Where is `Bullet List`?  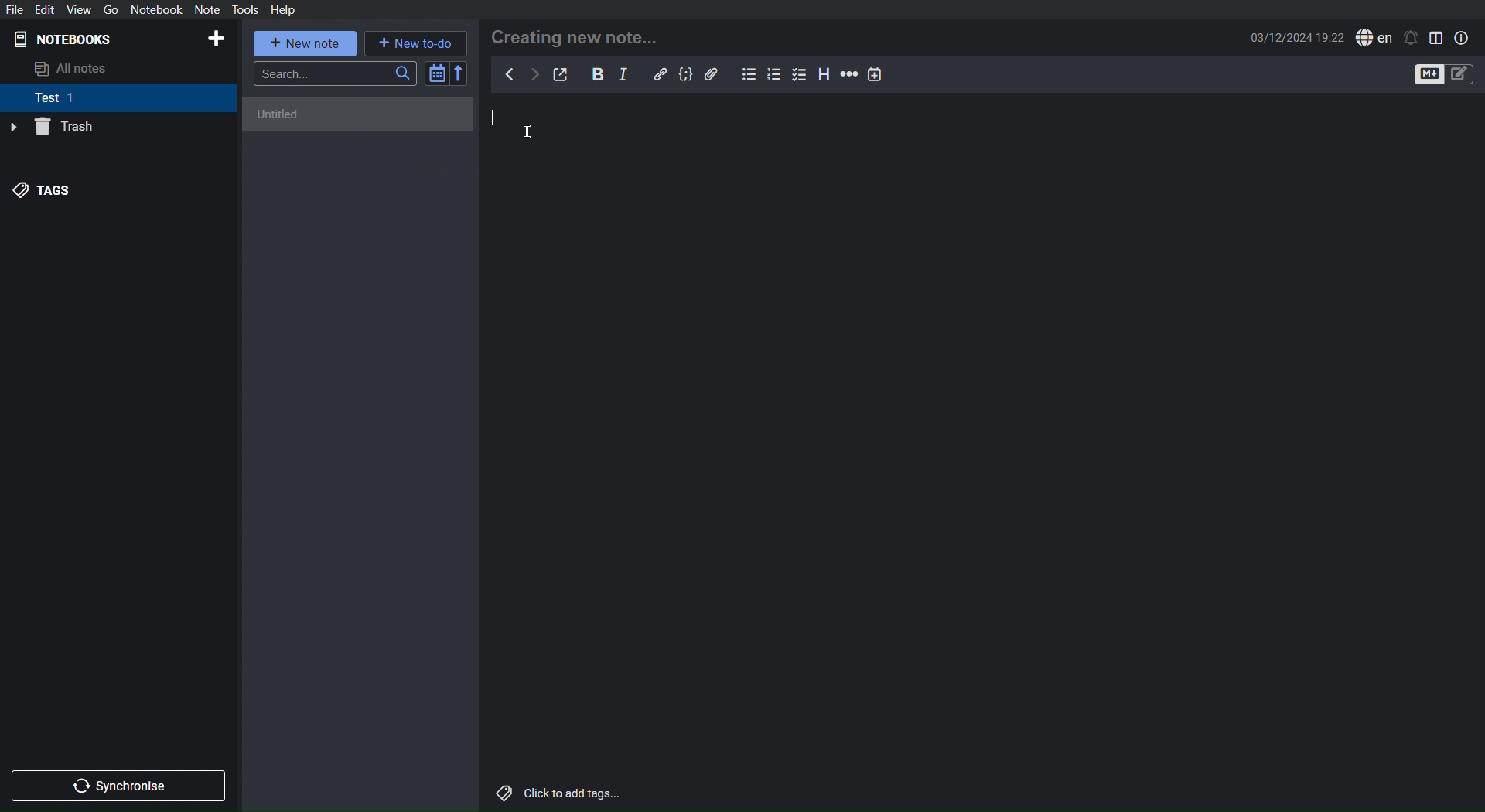
Bullet List is located at coordinates (749, 75).